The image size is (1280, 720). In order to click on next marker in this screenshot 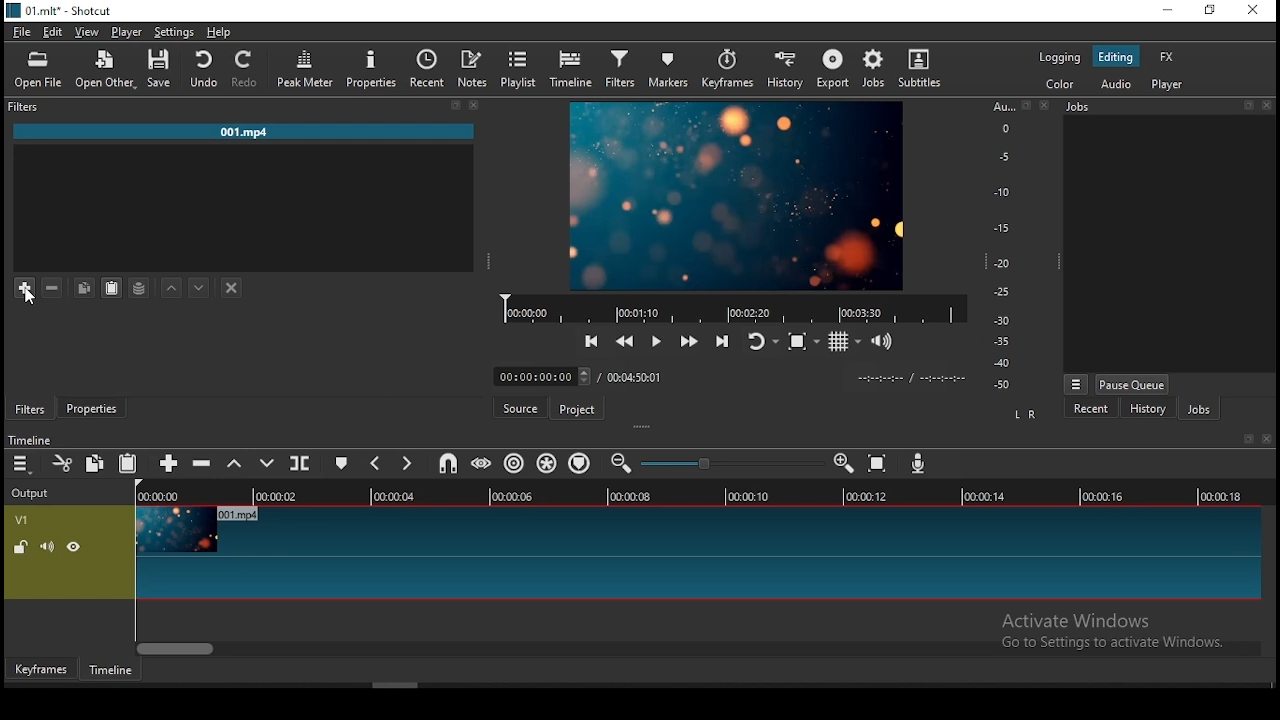, I will do `click(406, 463)`.